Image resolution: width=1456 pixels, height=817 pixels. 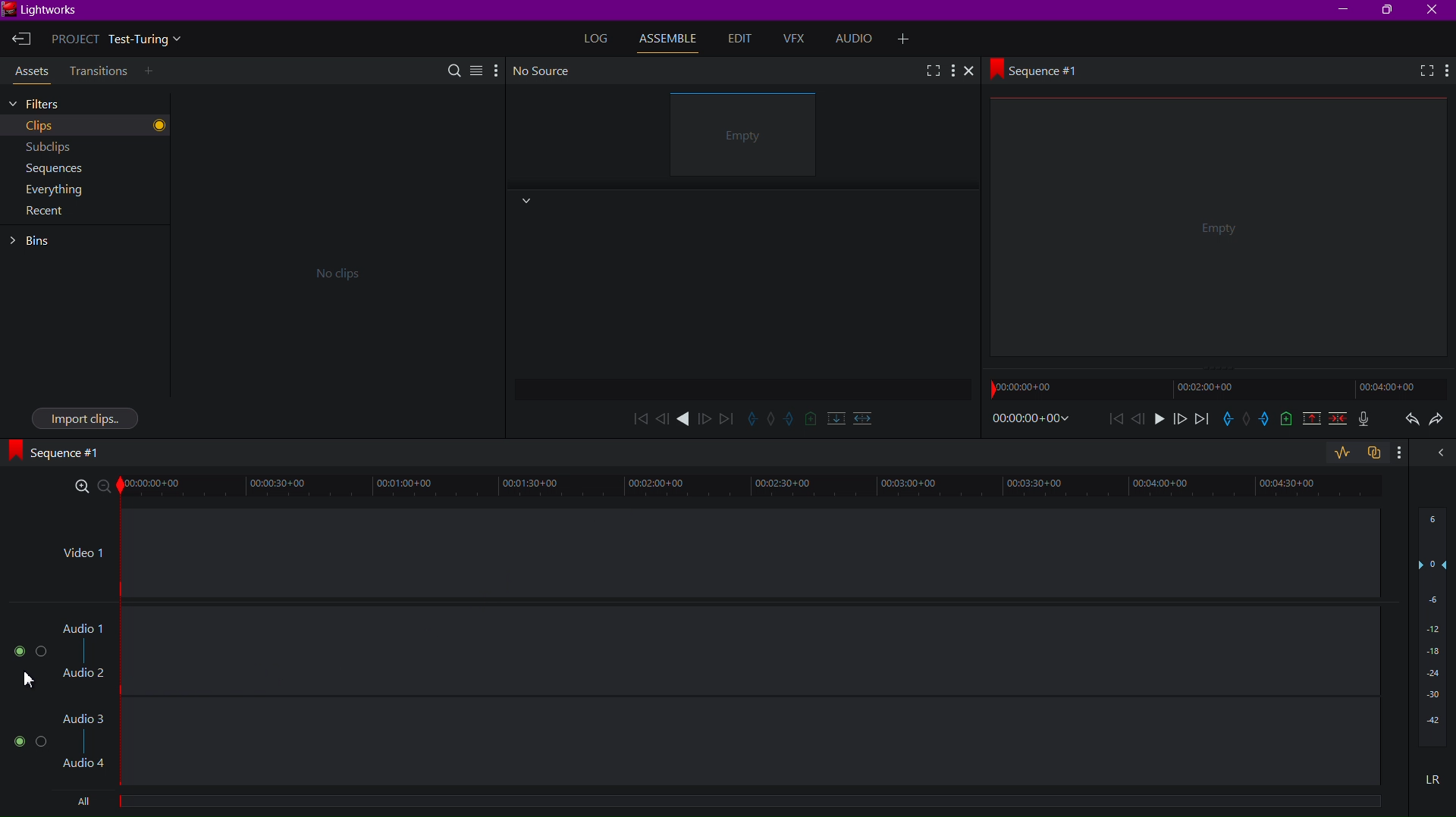 What do you see at coordinates (759, 488) in the screenshot?
I see `Timeline` at bounding box center [759, 488].